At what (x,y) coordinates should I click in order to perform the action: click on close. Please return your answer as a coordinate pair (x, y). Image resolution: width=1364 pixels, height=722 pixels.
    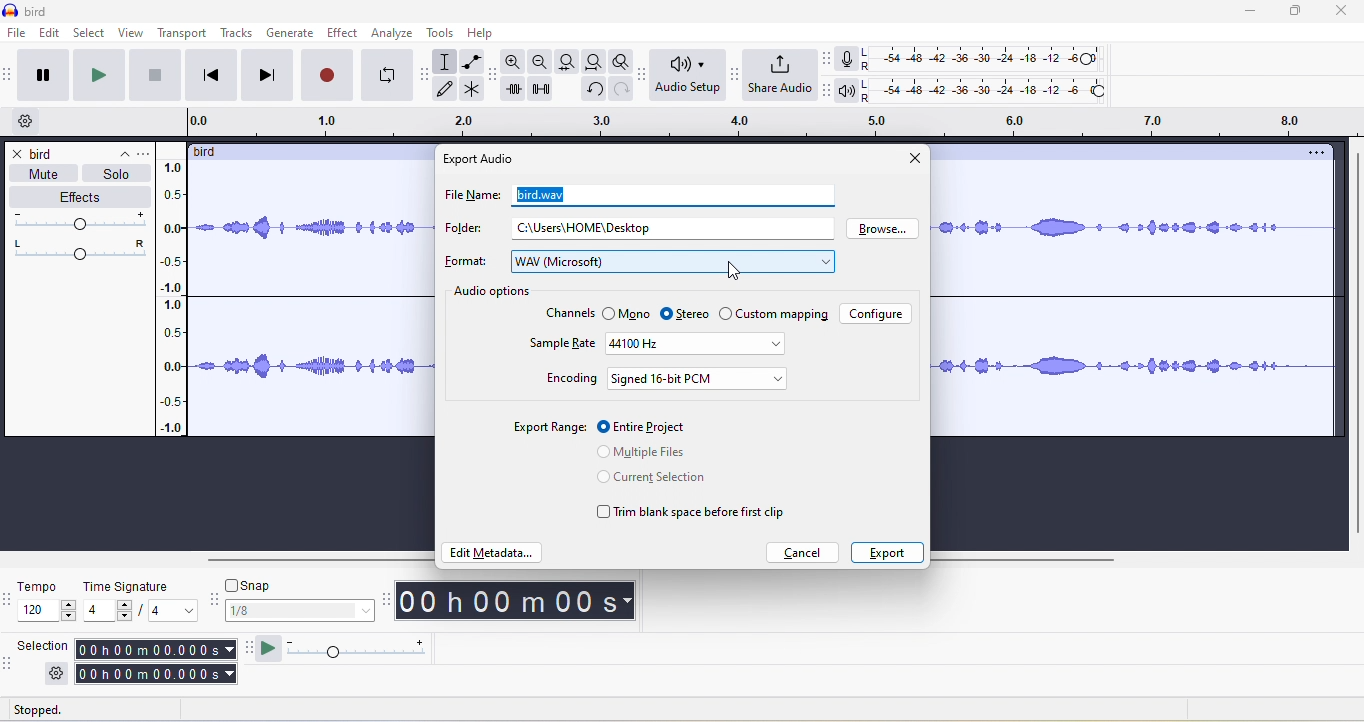
    Looking at the image, I should click on (913, 160).